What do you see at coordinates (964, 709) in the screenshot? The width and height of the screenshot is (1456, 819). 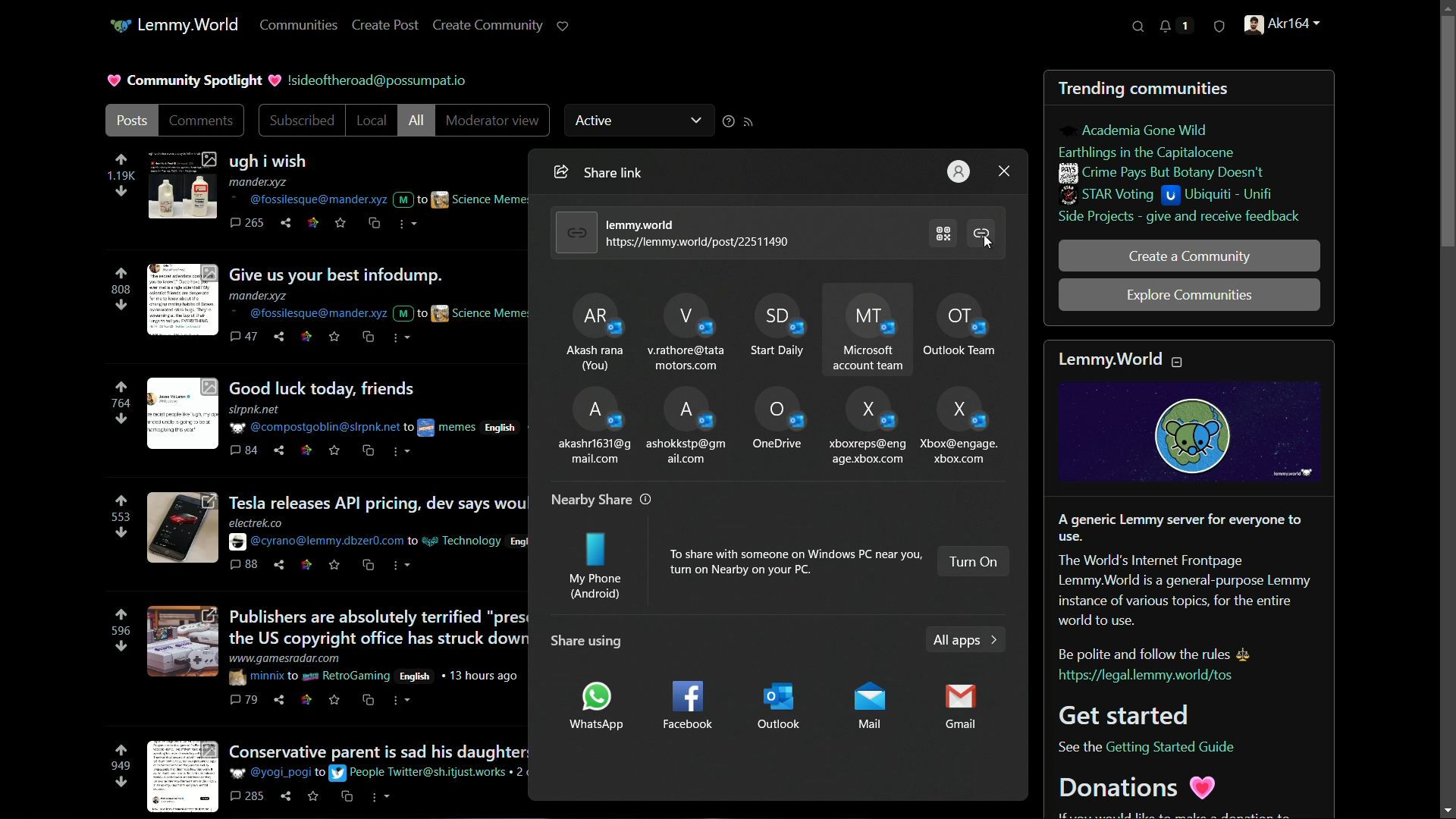 I see `gmail` at bounding box center [964, 709].